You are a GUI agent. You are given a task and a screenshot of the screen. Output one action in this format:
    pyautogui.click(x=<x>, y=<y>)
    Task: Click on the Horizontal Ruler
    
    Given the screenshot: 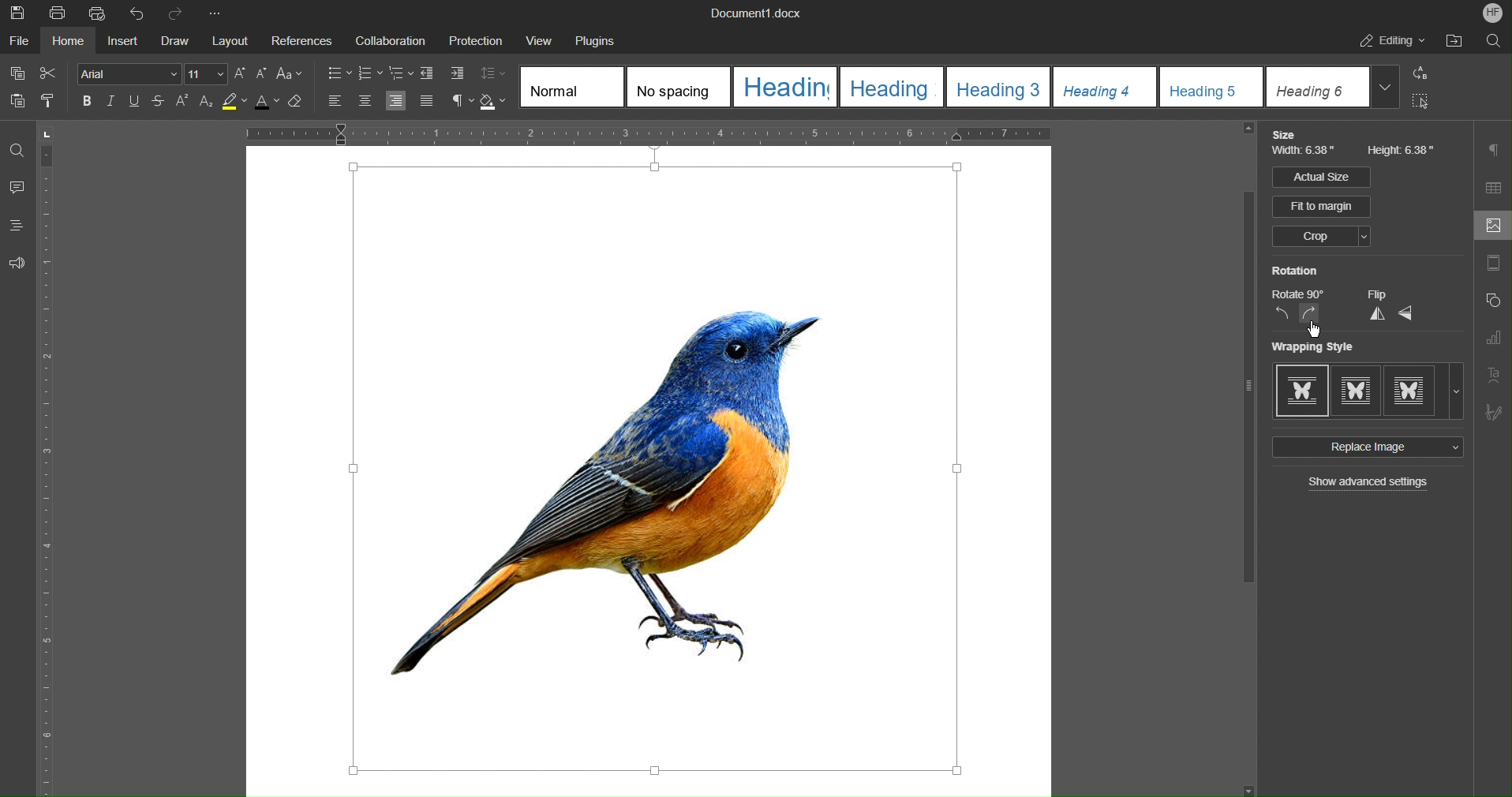 What is the action you would take?
    pyautogui.click(x=698, y=133)
    